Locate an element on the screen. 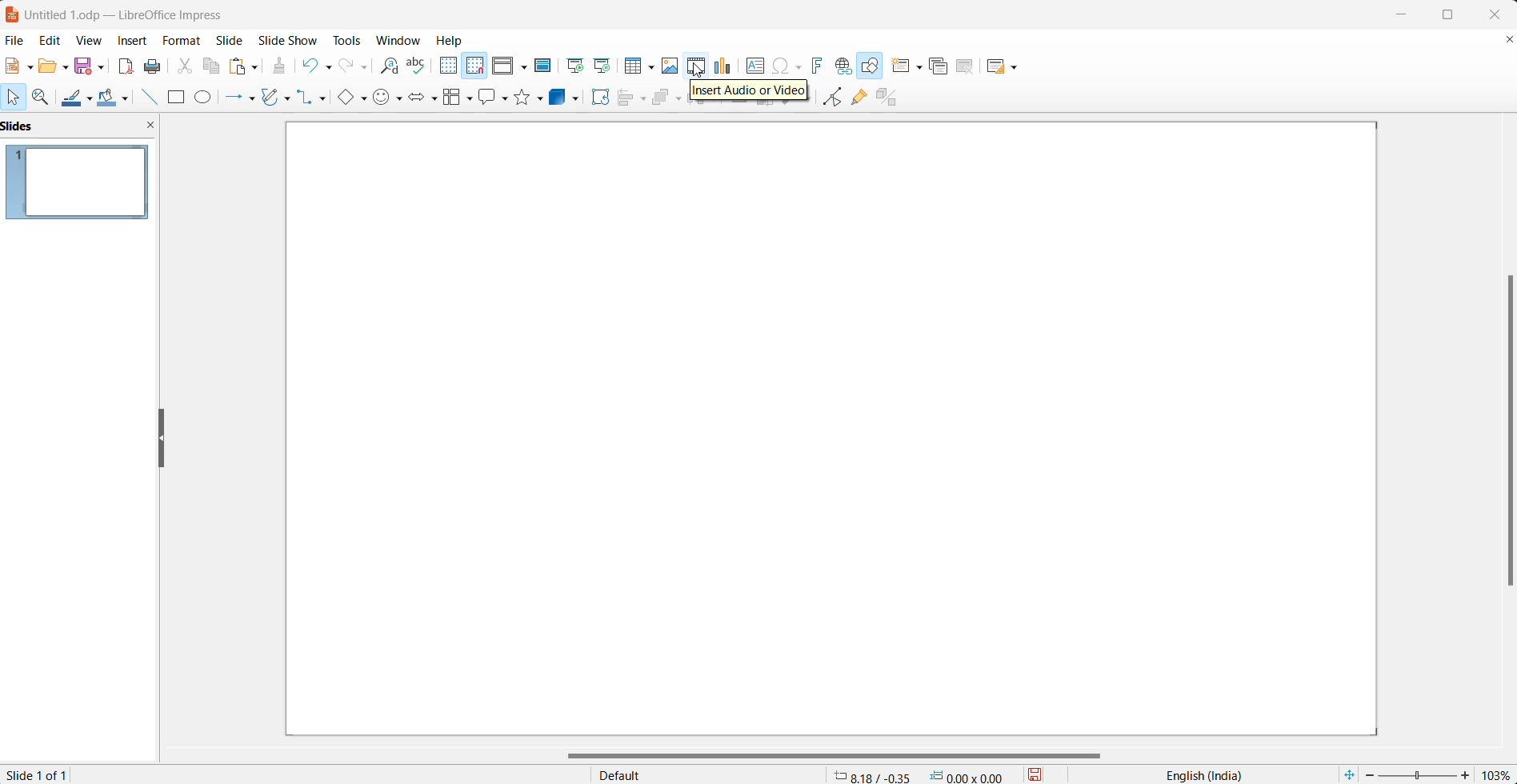  minimize is located at coordinates (1399, 12).